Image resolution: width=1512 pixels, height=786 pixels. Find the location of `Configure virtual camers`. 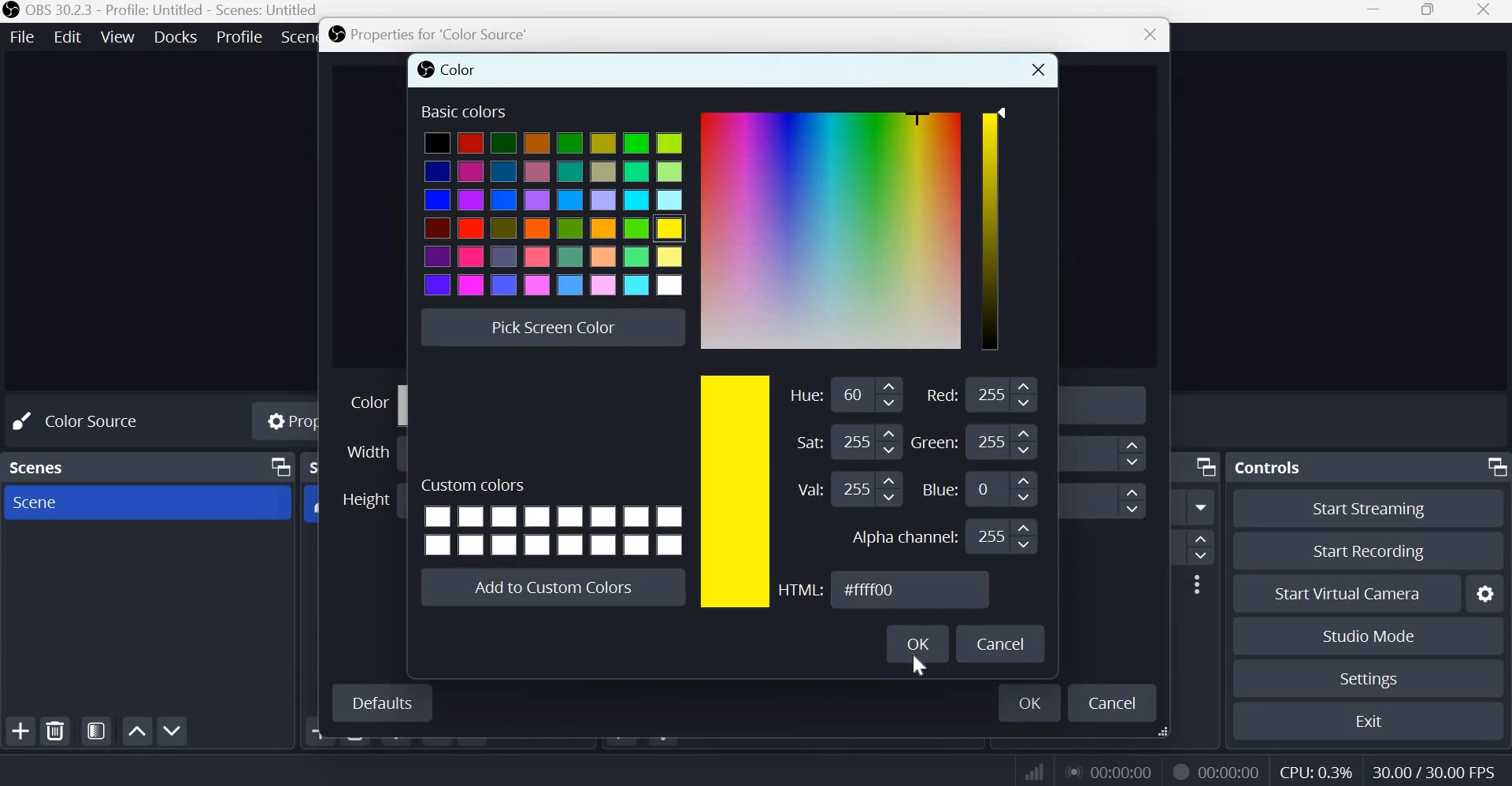

Configure virtual camers is located at coordinates (1488, 595).